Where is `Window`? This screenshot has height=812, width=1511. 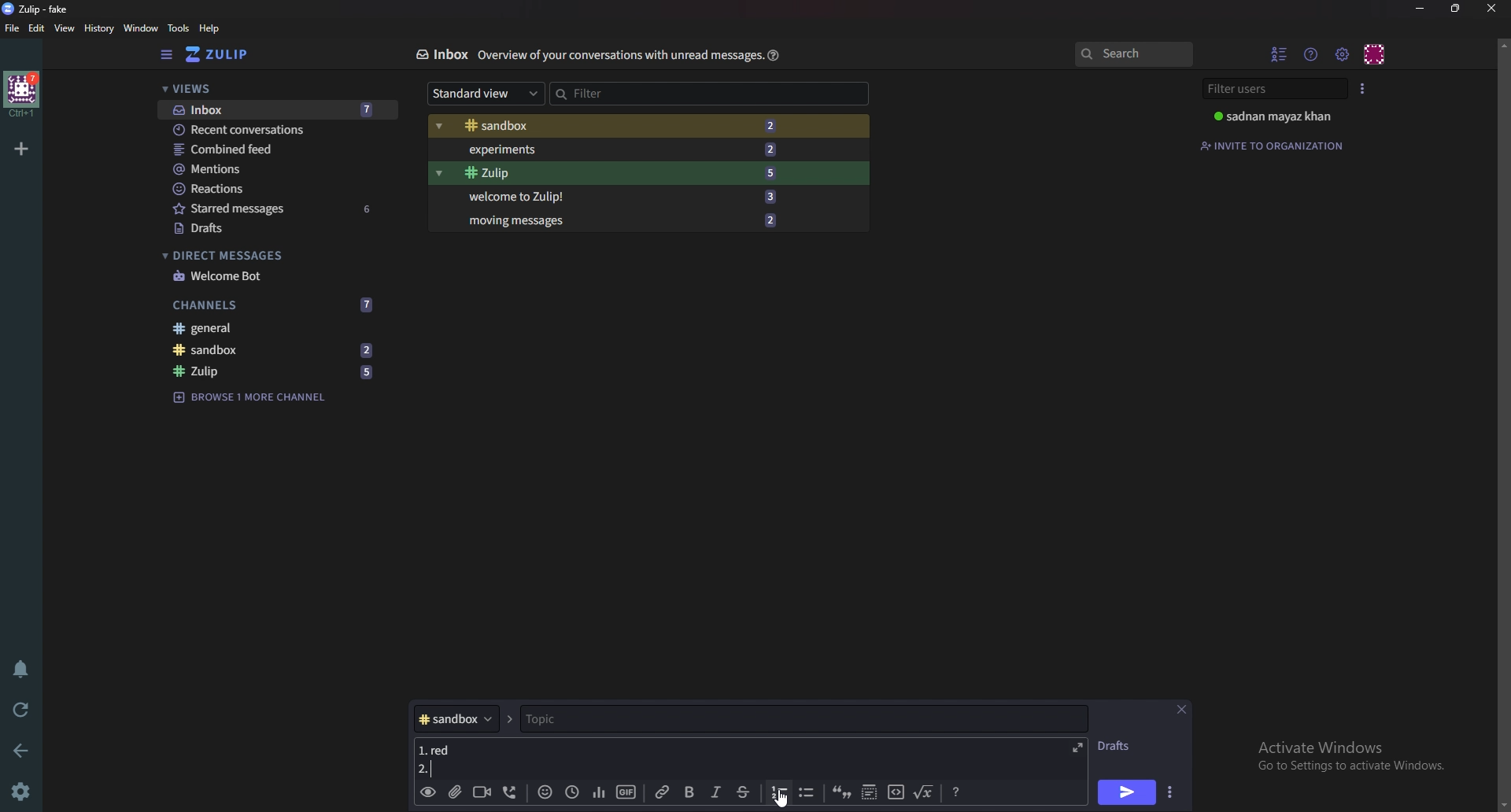
Window is located at coordinates (139, 28).